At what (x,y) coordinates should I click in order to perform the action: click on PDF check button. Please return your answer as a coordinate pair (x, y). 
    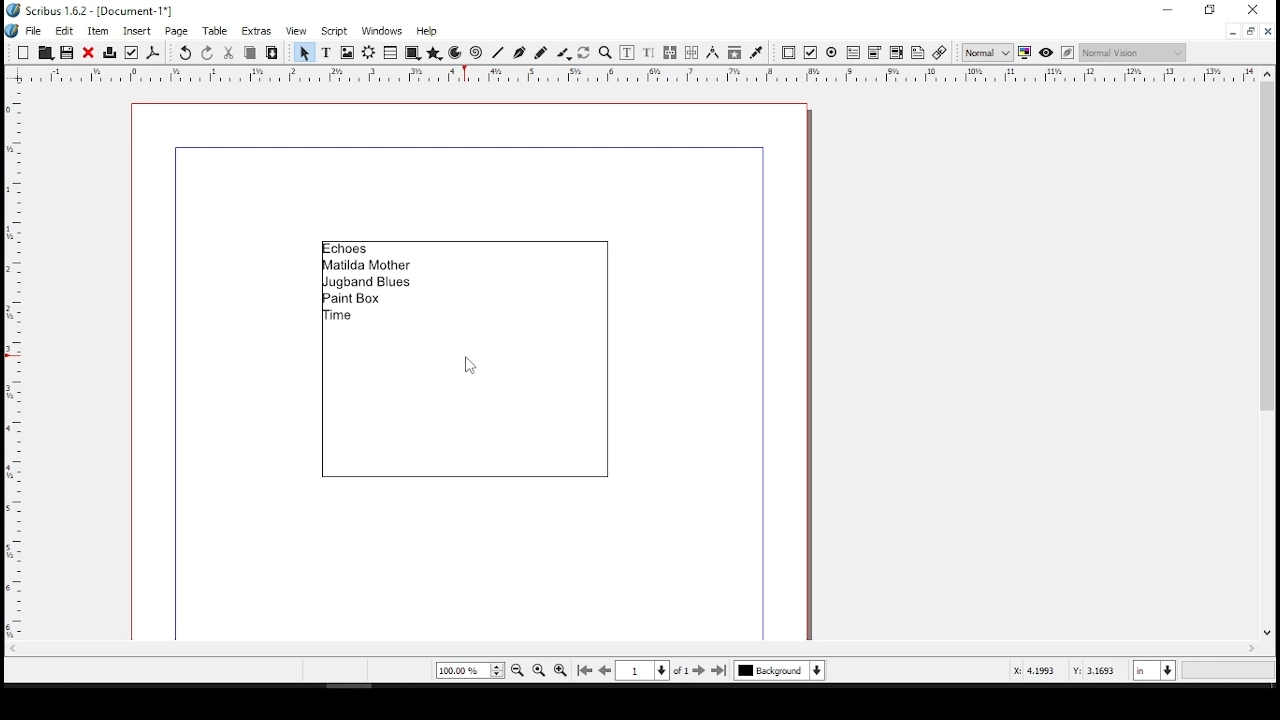
    Looking at the image, I should click on (811, 53).